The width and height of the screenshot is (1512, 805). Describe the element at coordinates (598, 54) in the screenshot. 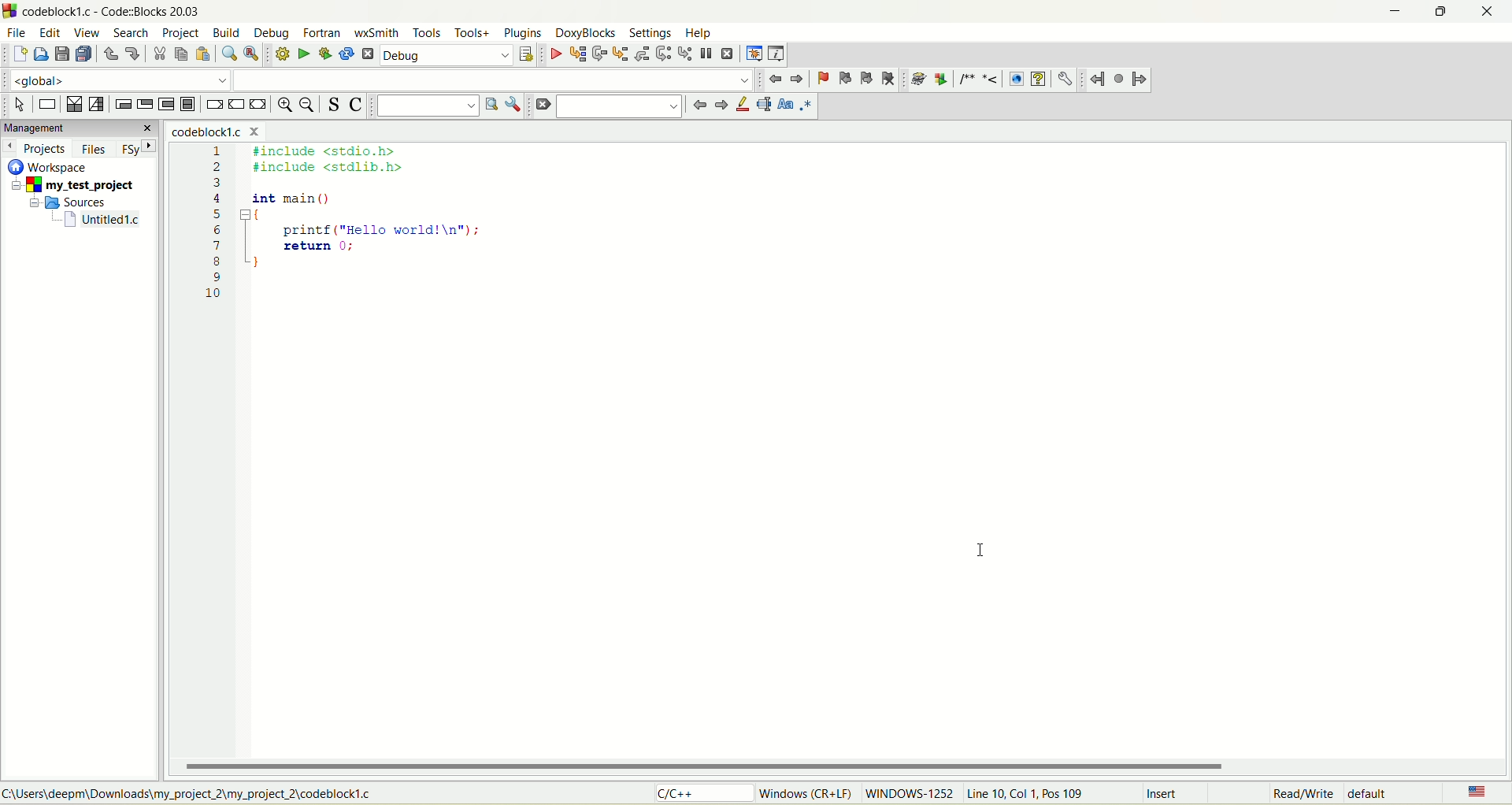

I see `next line` at that location.